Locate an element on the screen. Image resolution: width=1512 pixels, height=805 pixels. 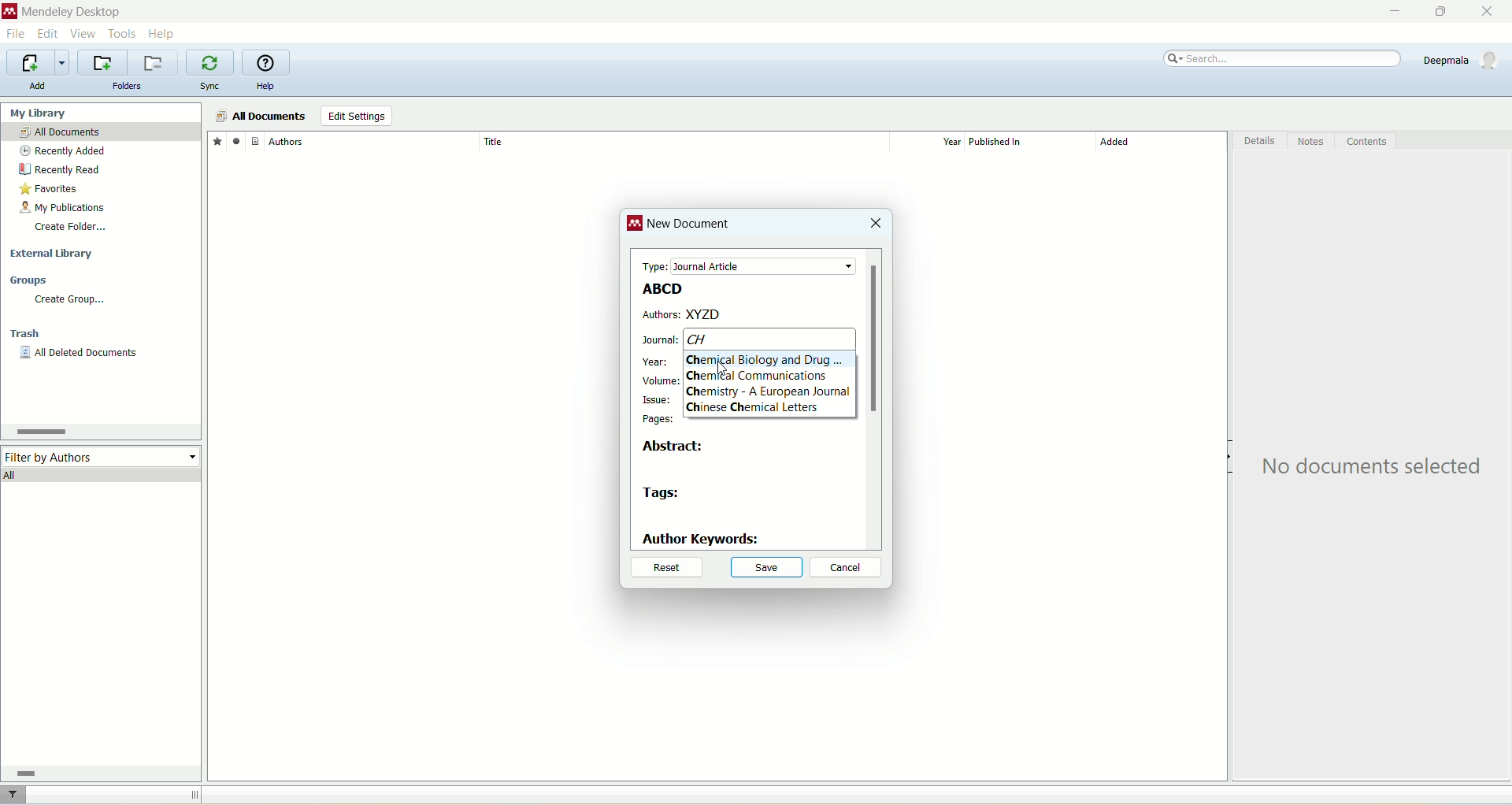
file is located at coordinates (15, 35).